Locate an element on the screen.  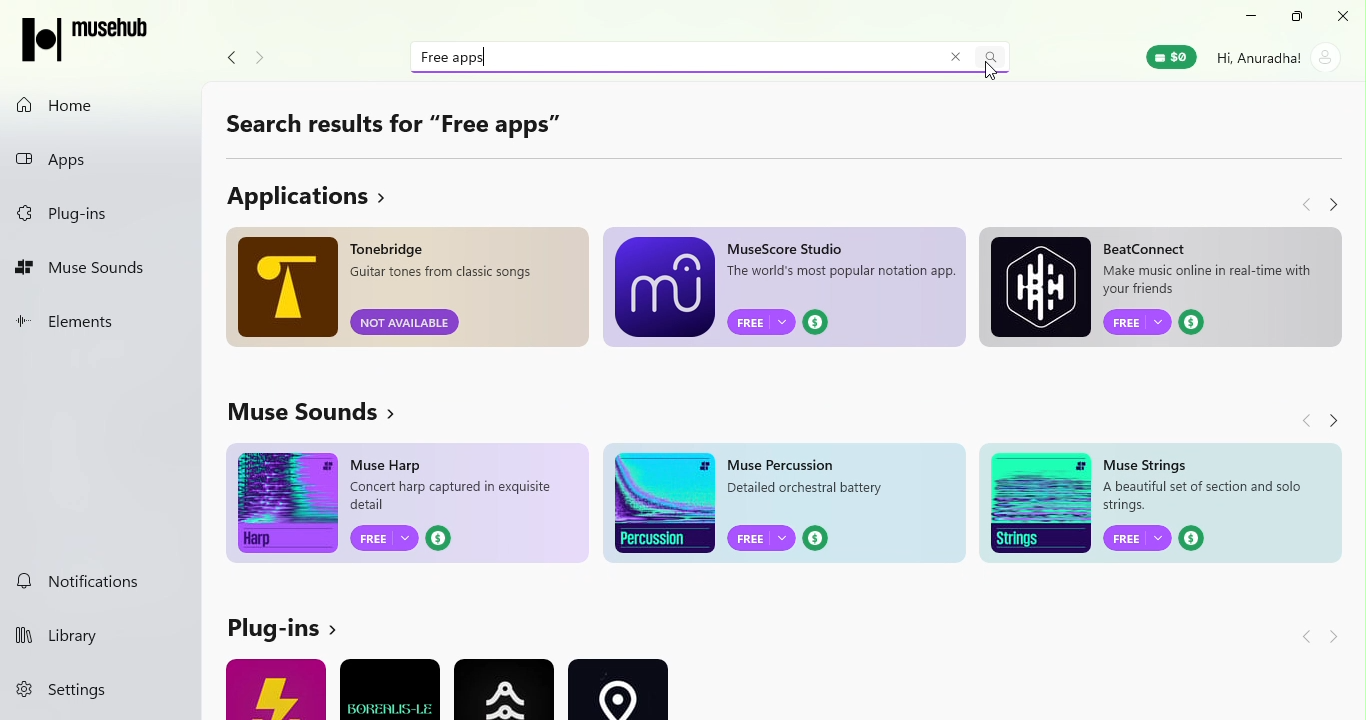
Notifications is located at coordinates (89, 579).